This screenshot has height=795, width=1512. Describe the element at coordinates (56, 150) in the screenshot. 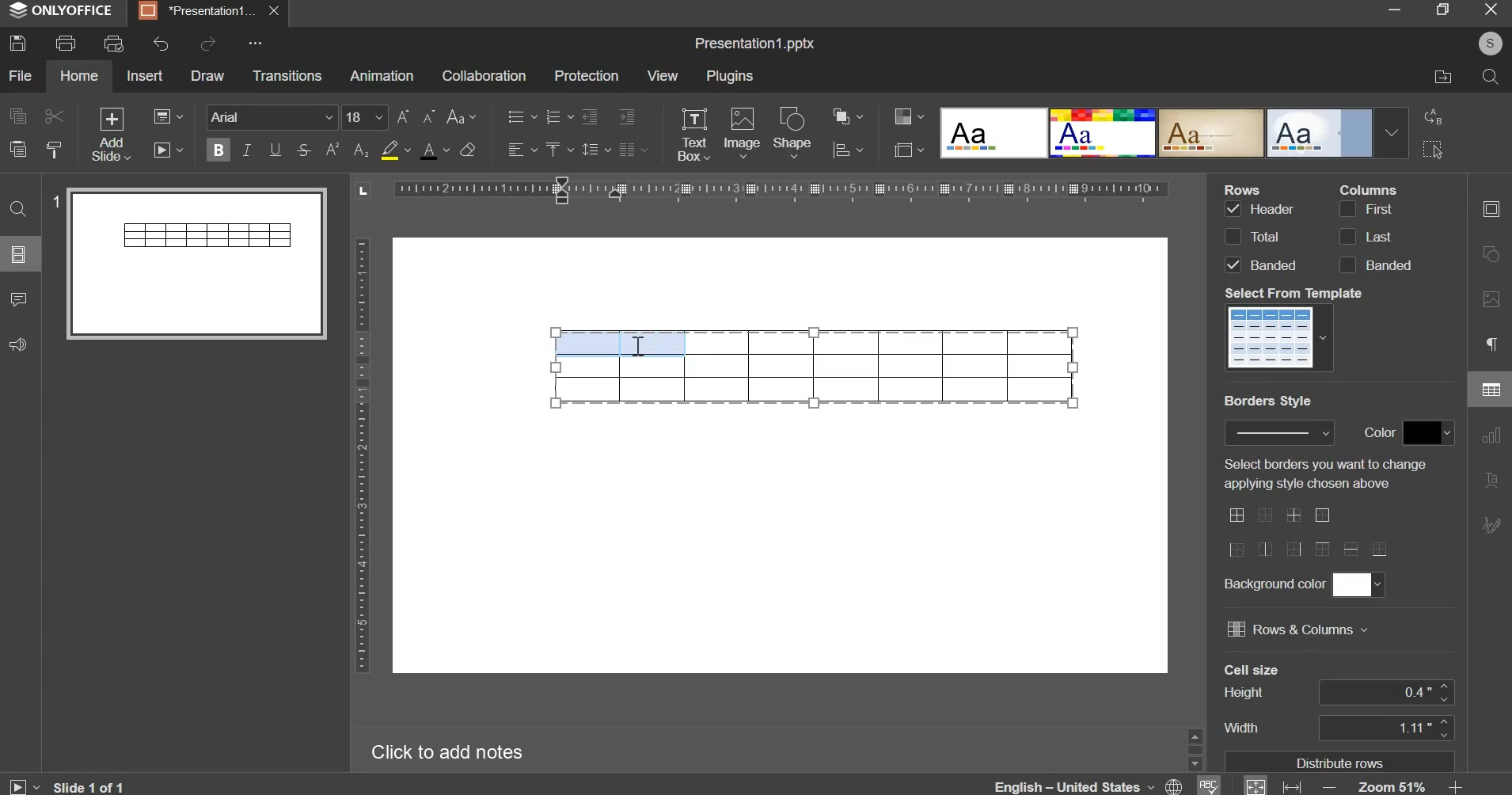

I see `copy style` at that location.